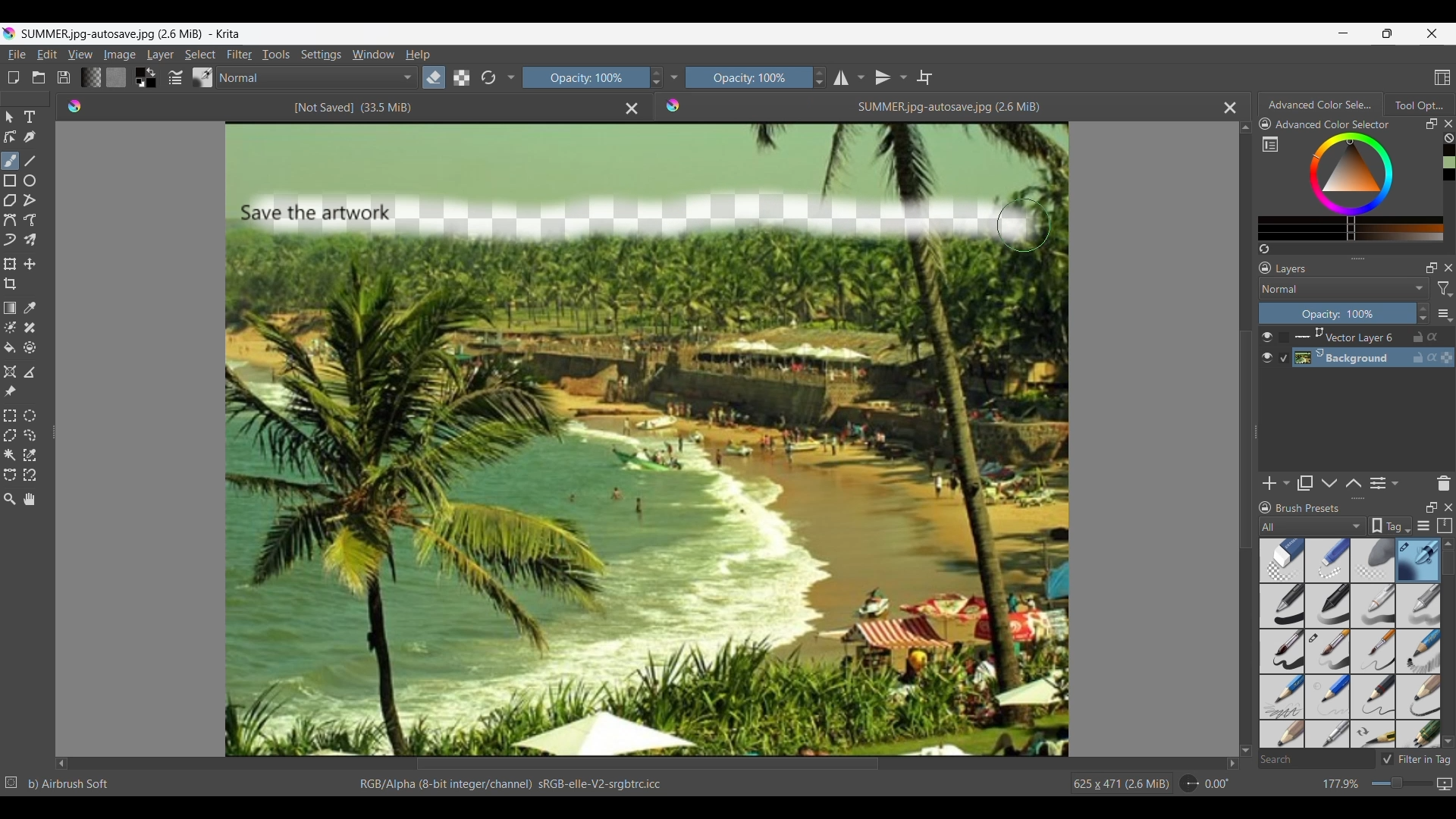 The image size is (1456, 819). Describe the element at coordinates (10, 220) in the screenshot. I see `Bezier curve tool` at that location.